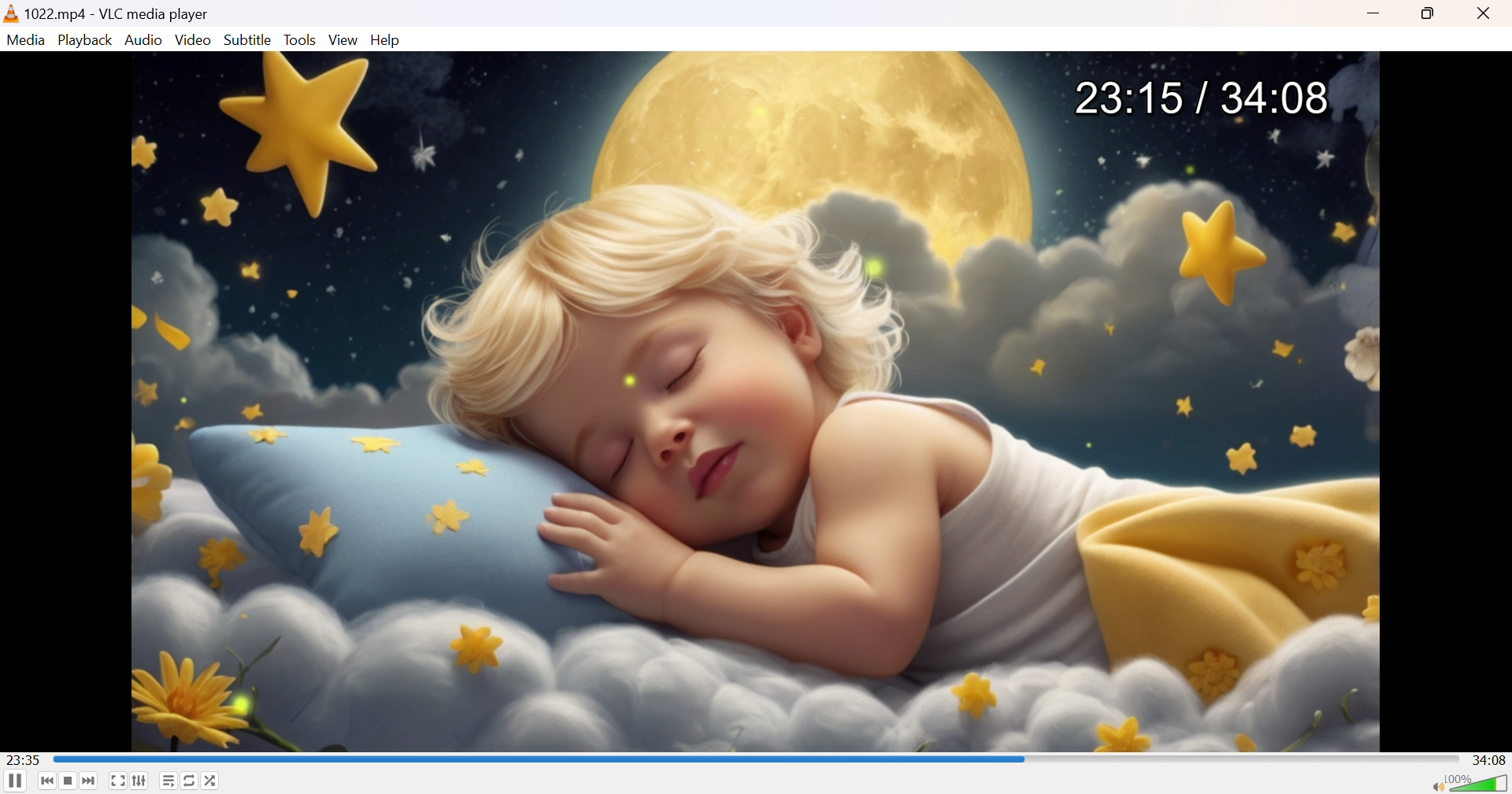 This screenshot has height=794, width=1512. Describe the element at coordinates (388, 39) in the screenshot. I see `Help` at that location.